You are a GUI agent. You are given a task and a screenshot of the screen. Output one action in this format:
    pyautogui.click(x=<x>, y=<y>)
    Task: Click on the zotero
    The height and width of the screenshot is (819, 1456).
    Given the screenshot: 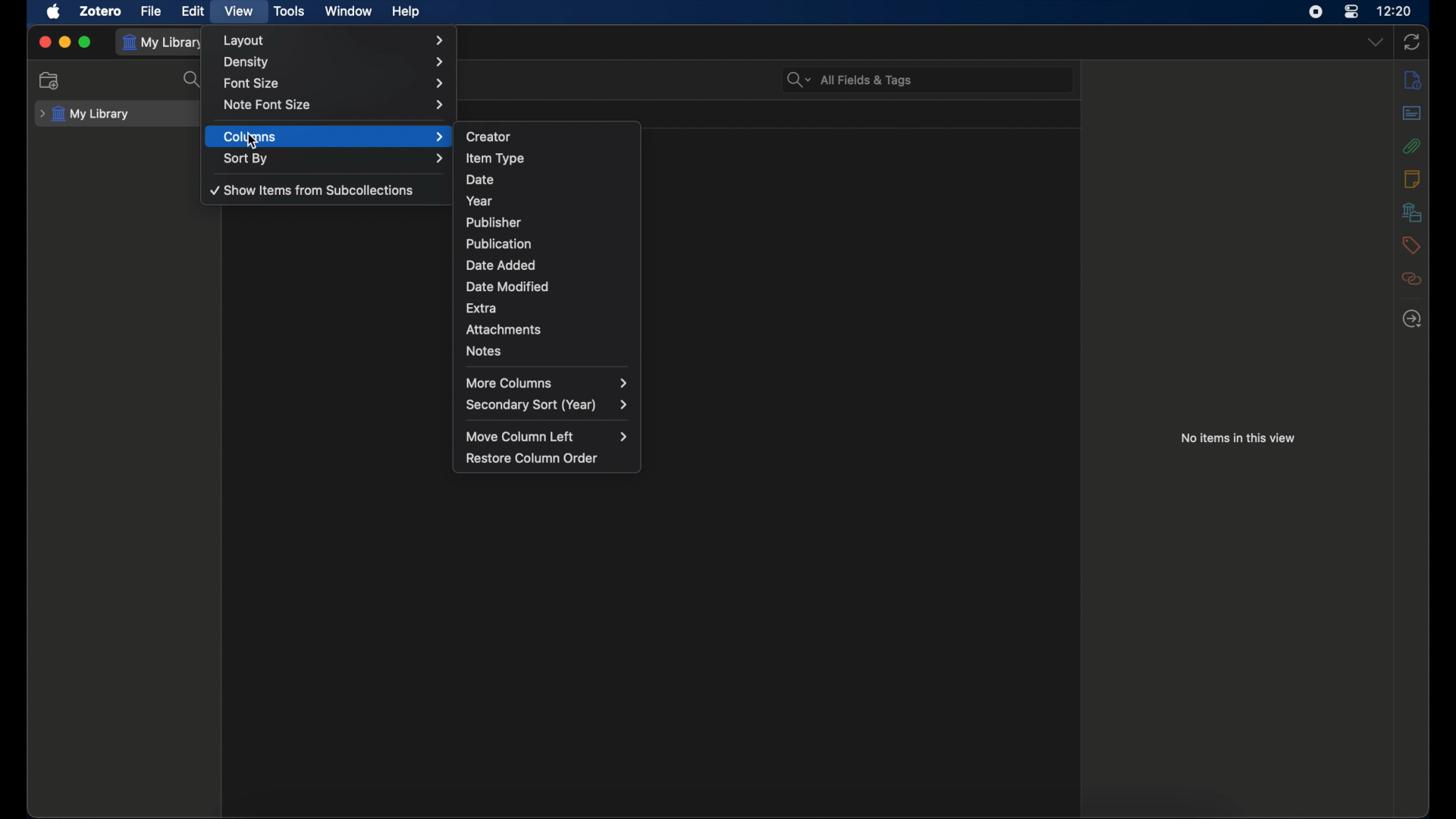 What is the action you would take?
    pyautogui.click(x=101, y=11)
    